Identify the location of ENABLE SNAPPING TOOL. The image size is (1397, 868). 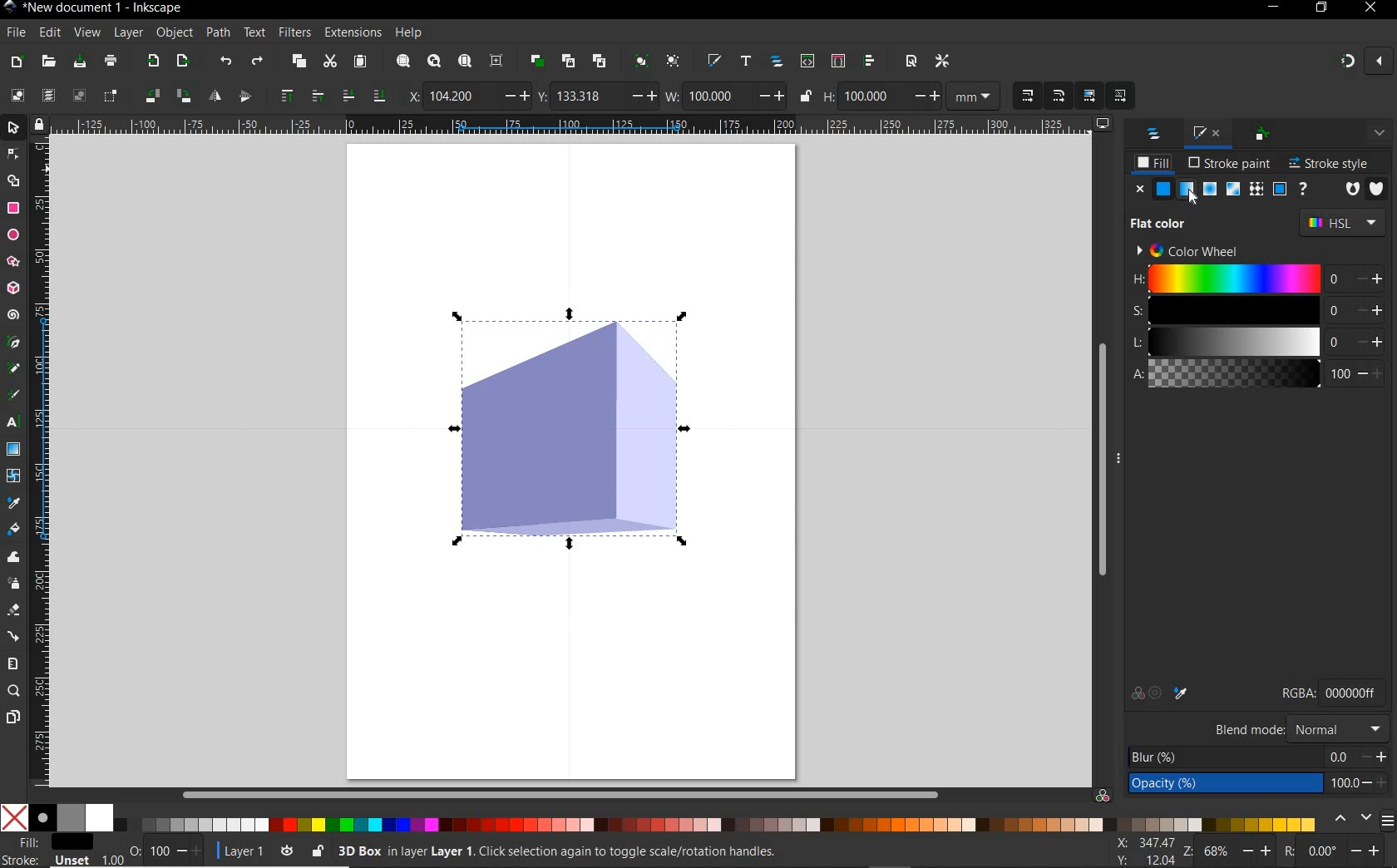
(1344, 61).